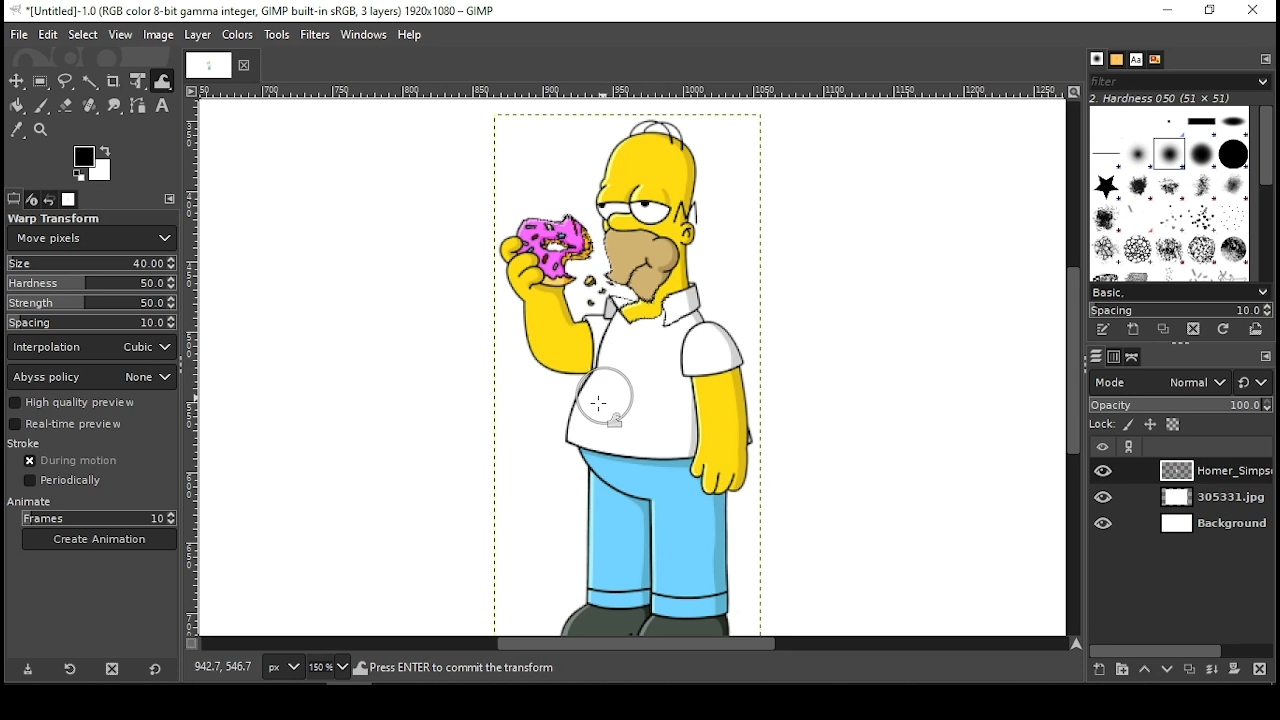  What do you see at coordinates (91, 238) in the screenshot?
I see `move pixels` at bounding box center [91, 238].